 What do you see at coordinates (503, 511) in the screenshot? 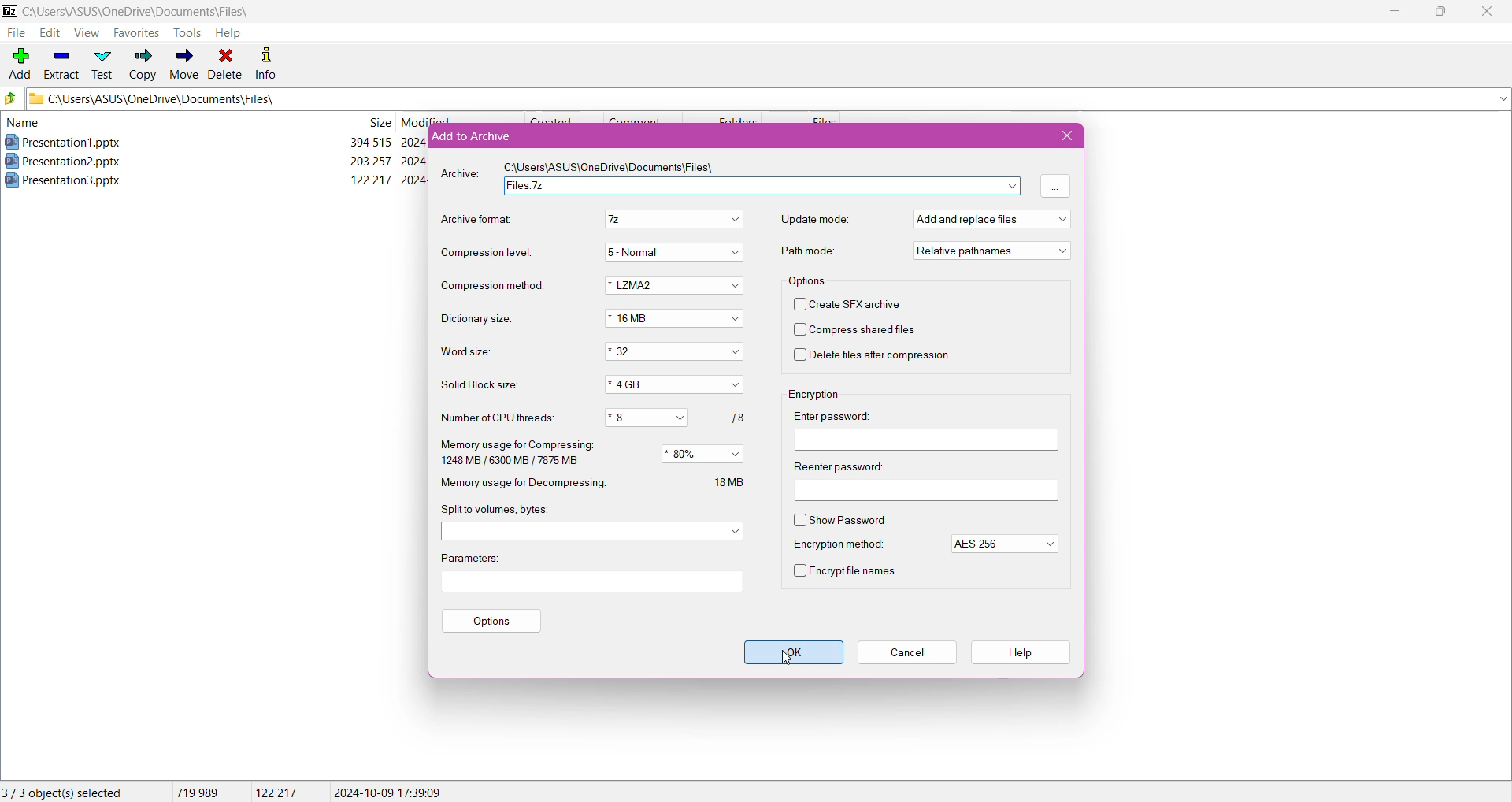
I see `Split to volumes, bytes` at bounding box center [503, 511].